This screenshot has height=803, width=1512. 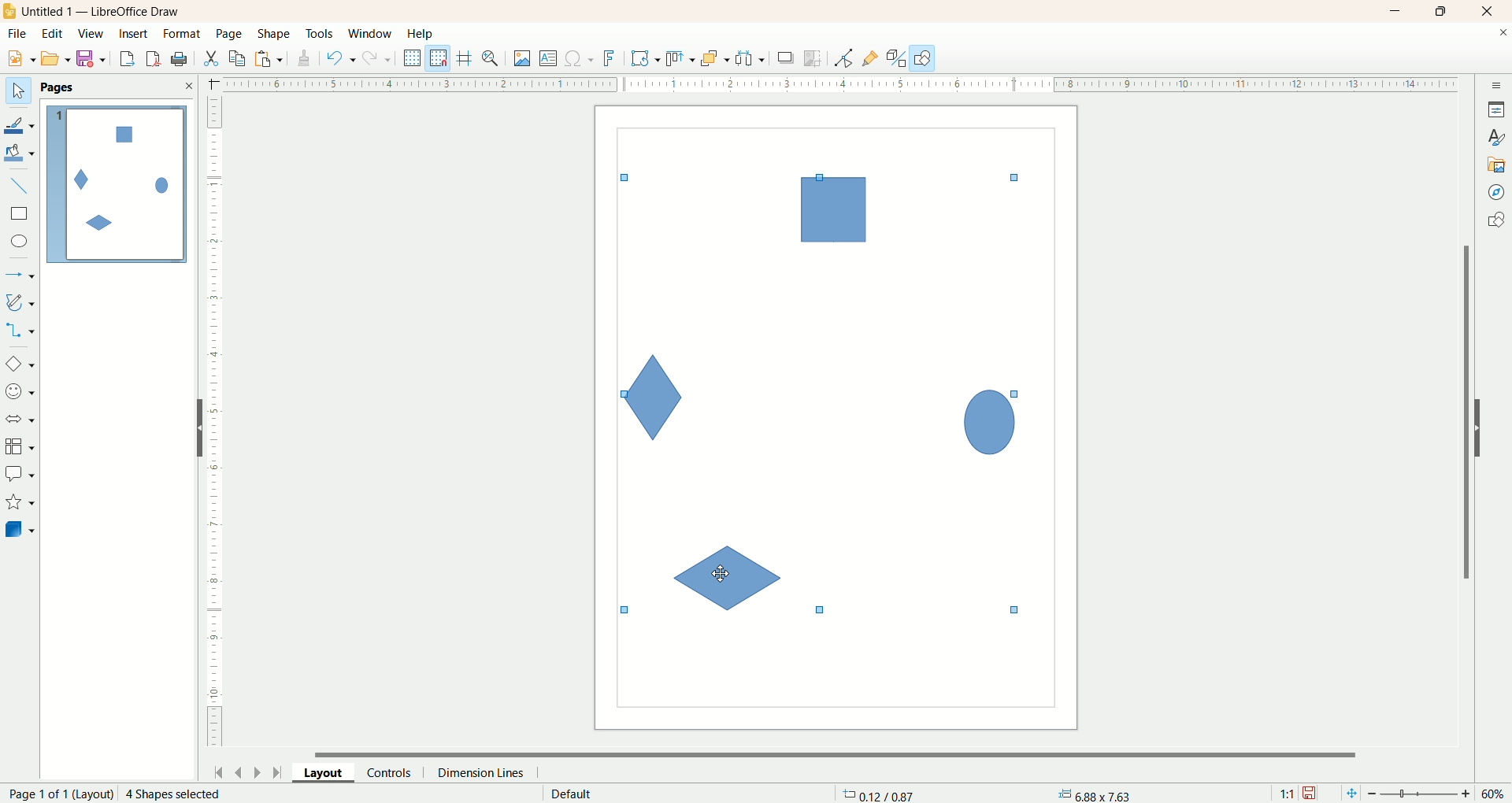 What do you see at coordinates (573, 794) in the screenshot?
I see `default` at bounding box center [573, 794].